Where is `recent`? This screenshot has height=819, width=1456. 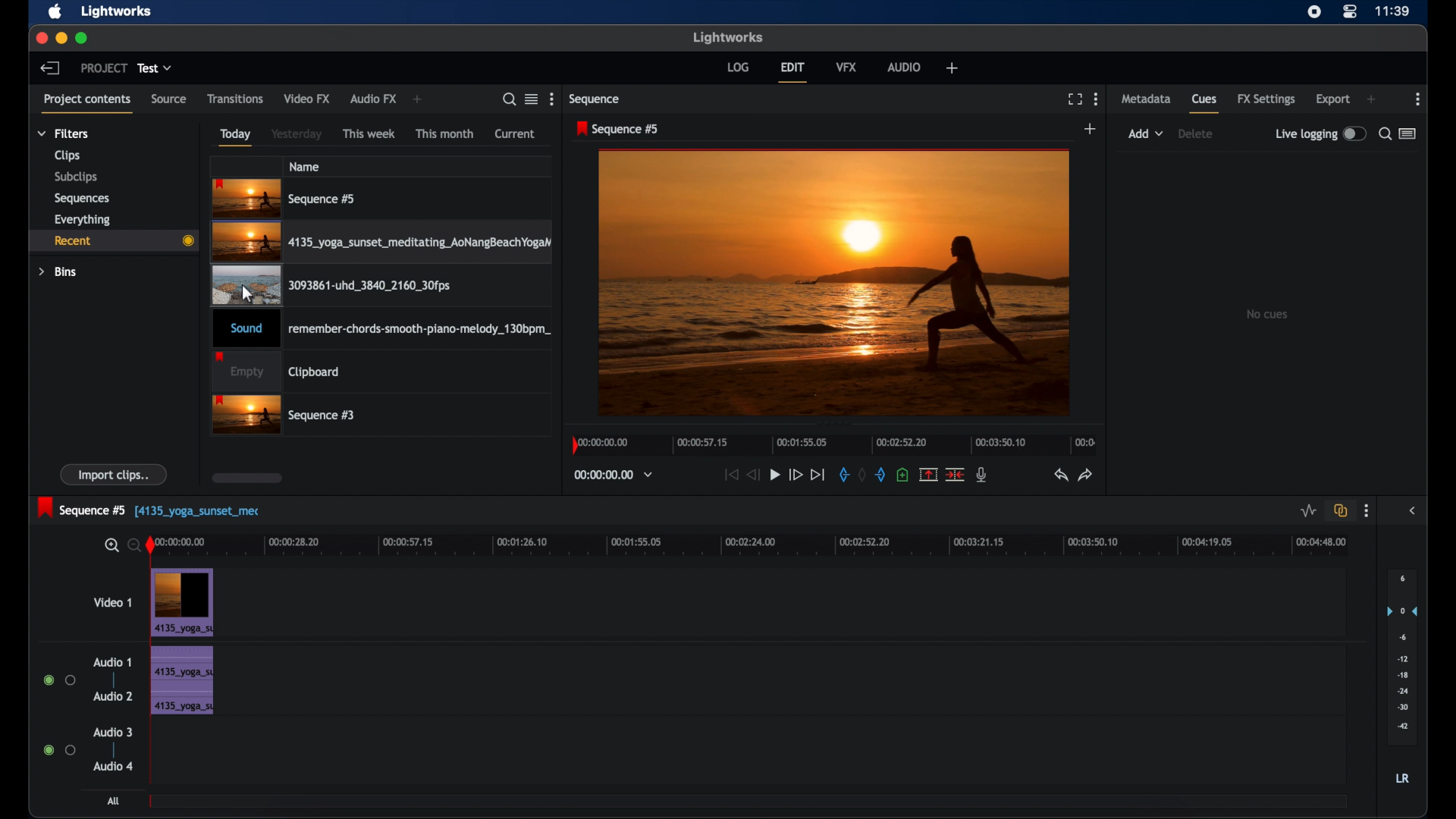
recent is located at coordinates (113, 241).